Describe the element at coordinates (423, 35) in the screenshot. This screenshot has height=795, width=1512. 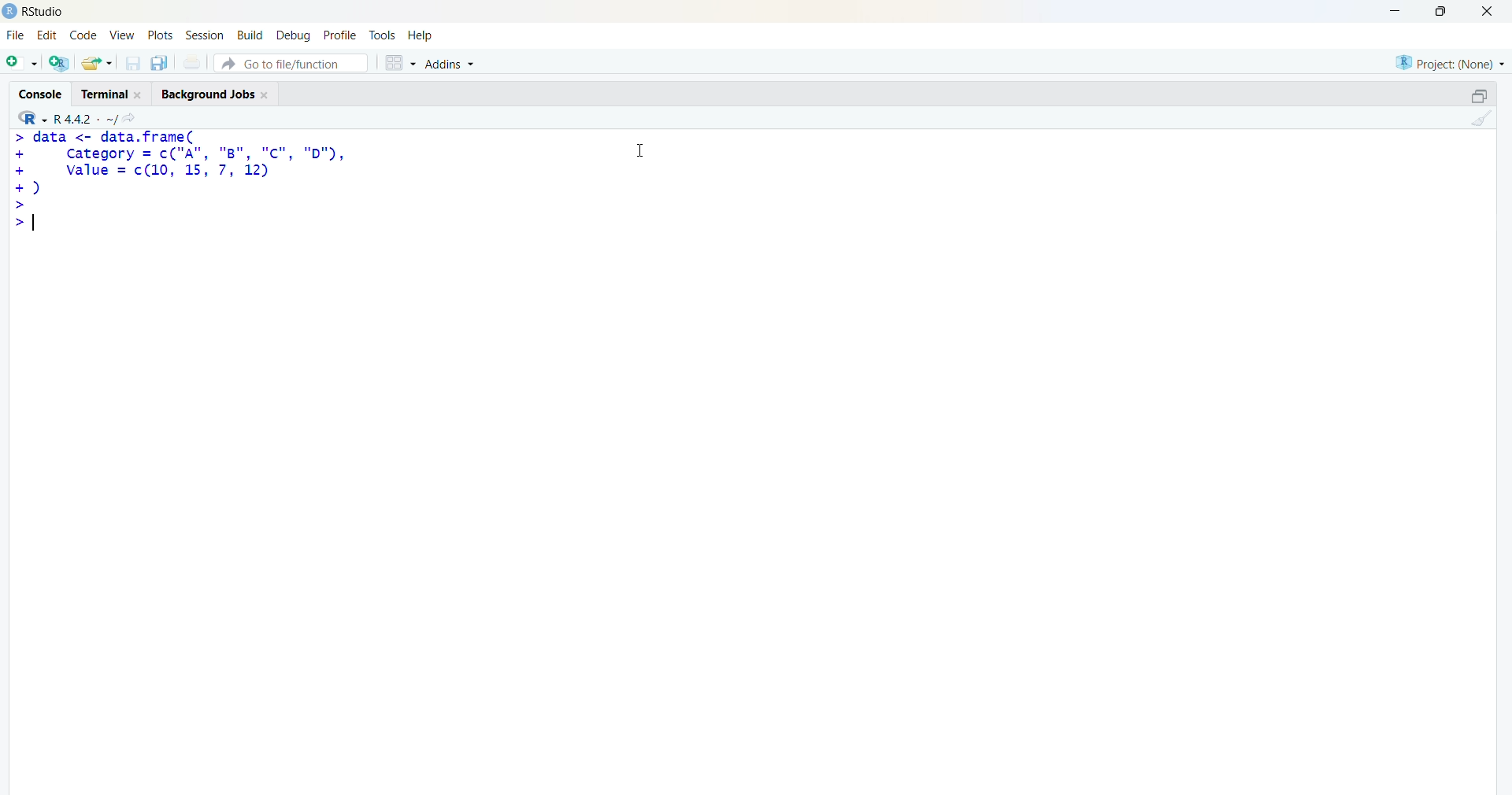
I see `help` at that location.